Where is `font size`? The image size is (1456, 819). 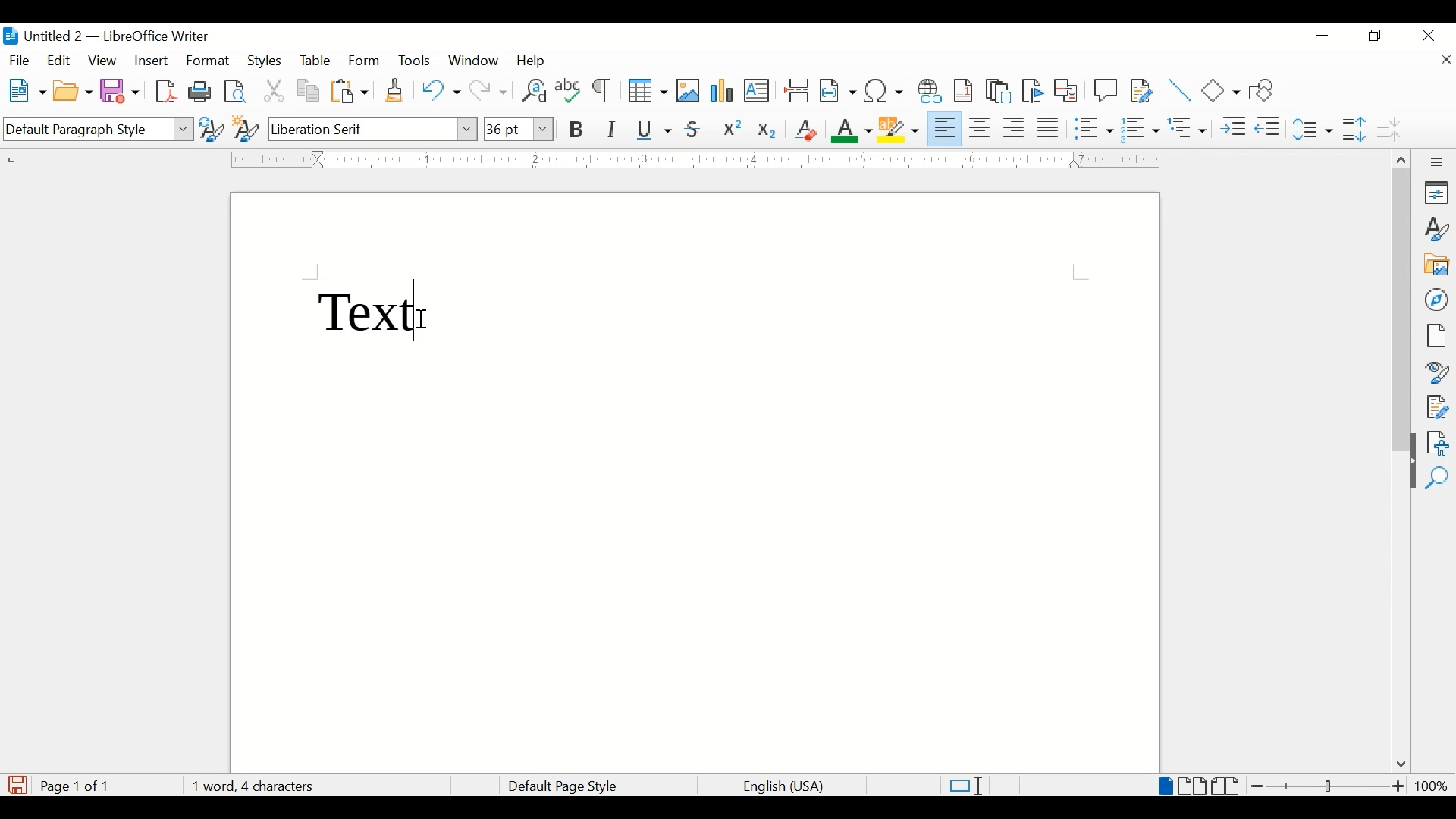 font size is located at coordinates (518, 128).